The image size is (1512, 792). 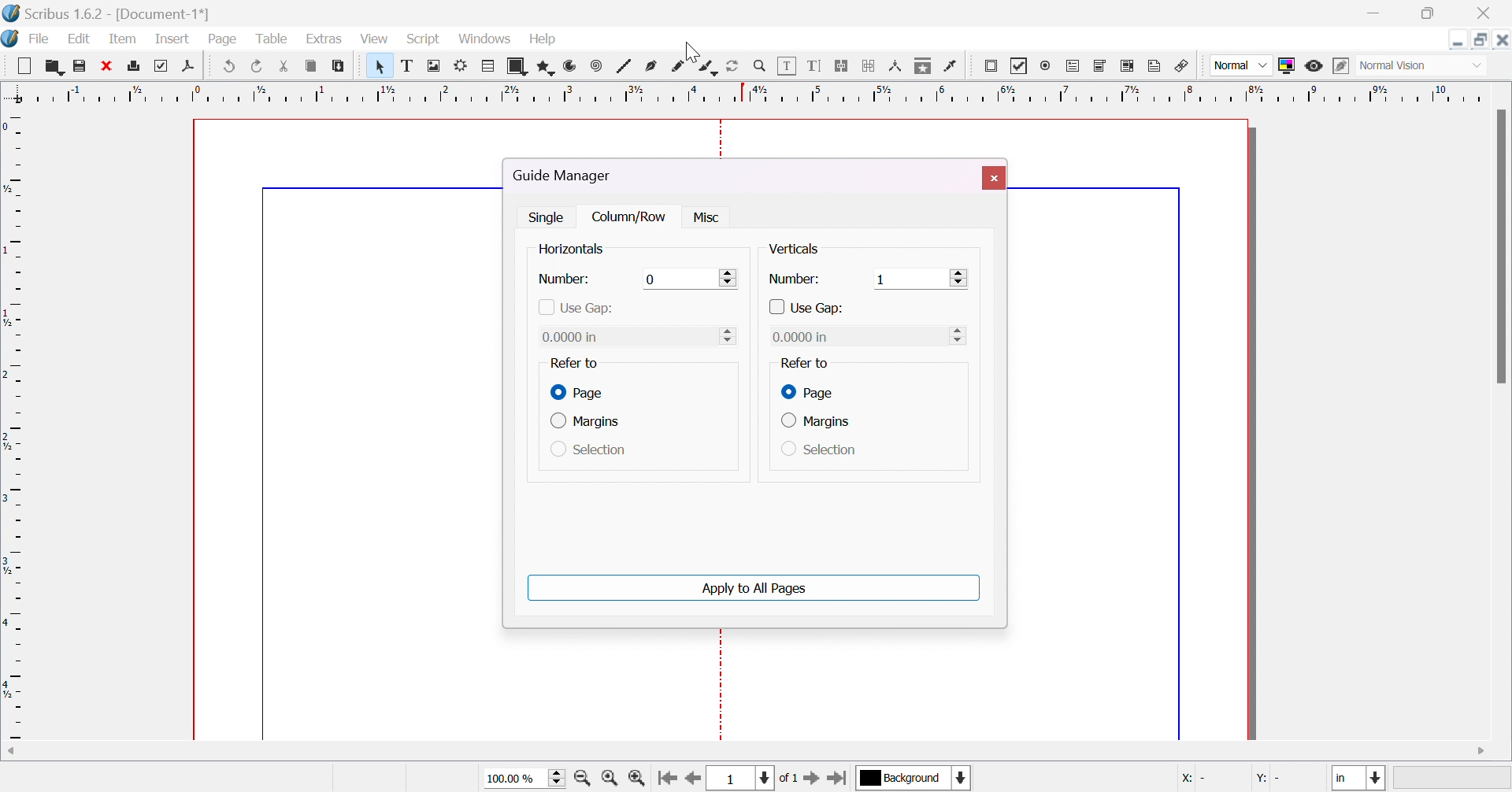 What do you see at coordinates (549, 40) in the screenshot?
I see `help` at bounding box center [549, 40].